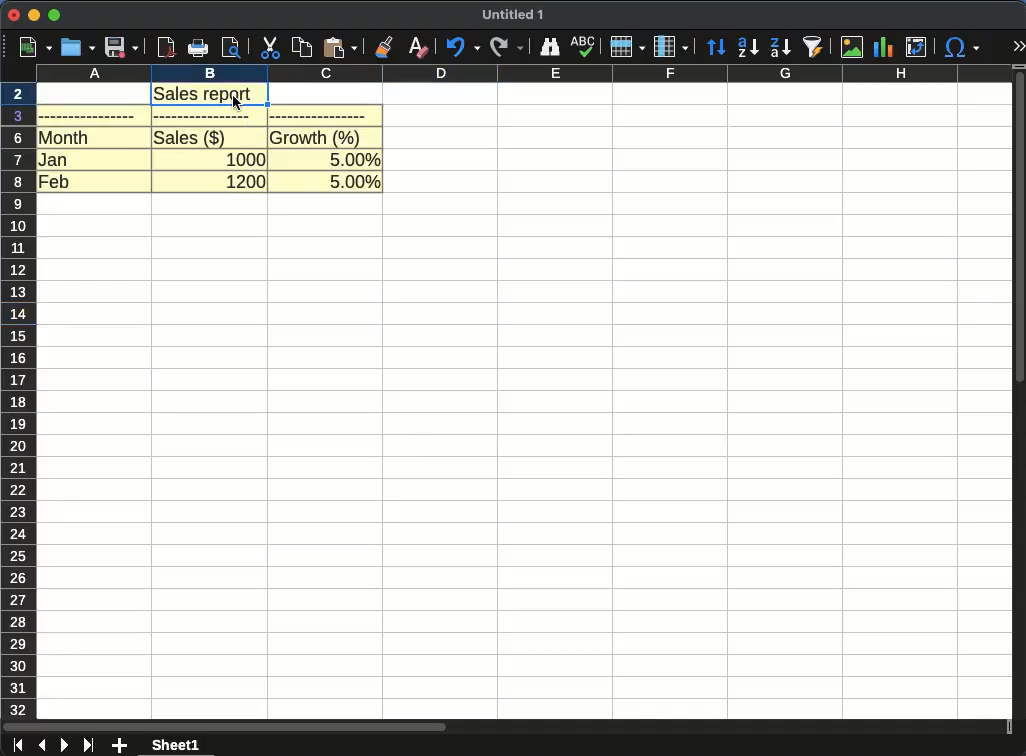  What do you see at coordinates (303, 48) in the screenshot?
I see `copy` at bounding box center [303, 48].